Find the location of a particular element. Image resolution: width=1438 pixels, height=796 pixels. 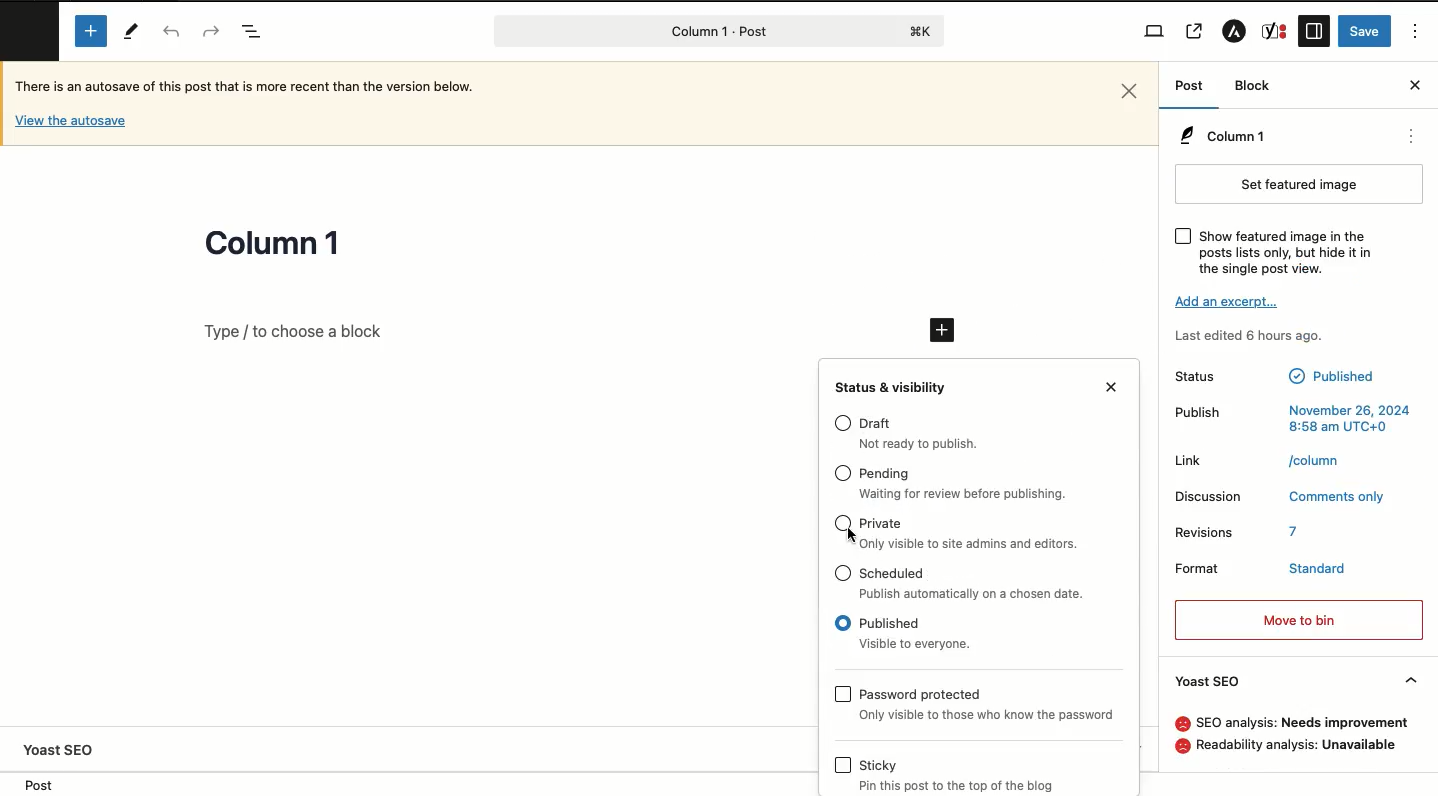

Block is located at coordinates (1253, 85).